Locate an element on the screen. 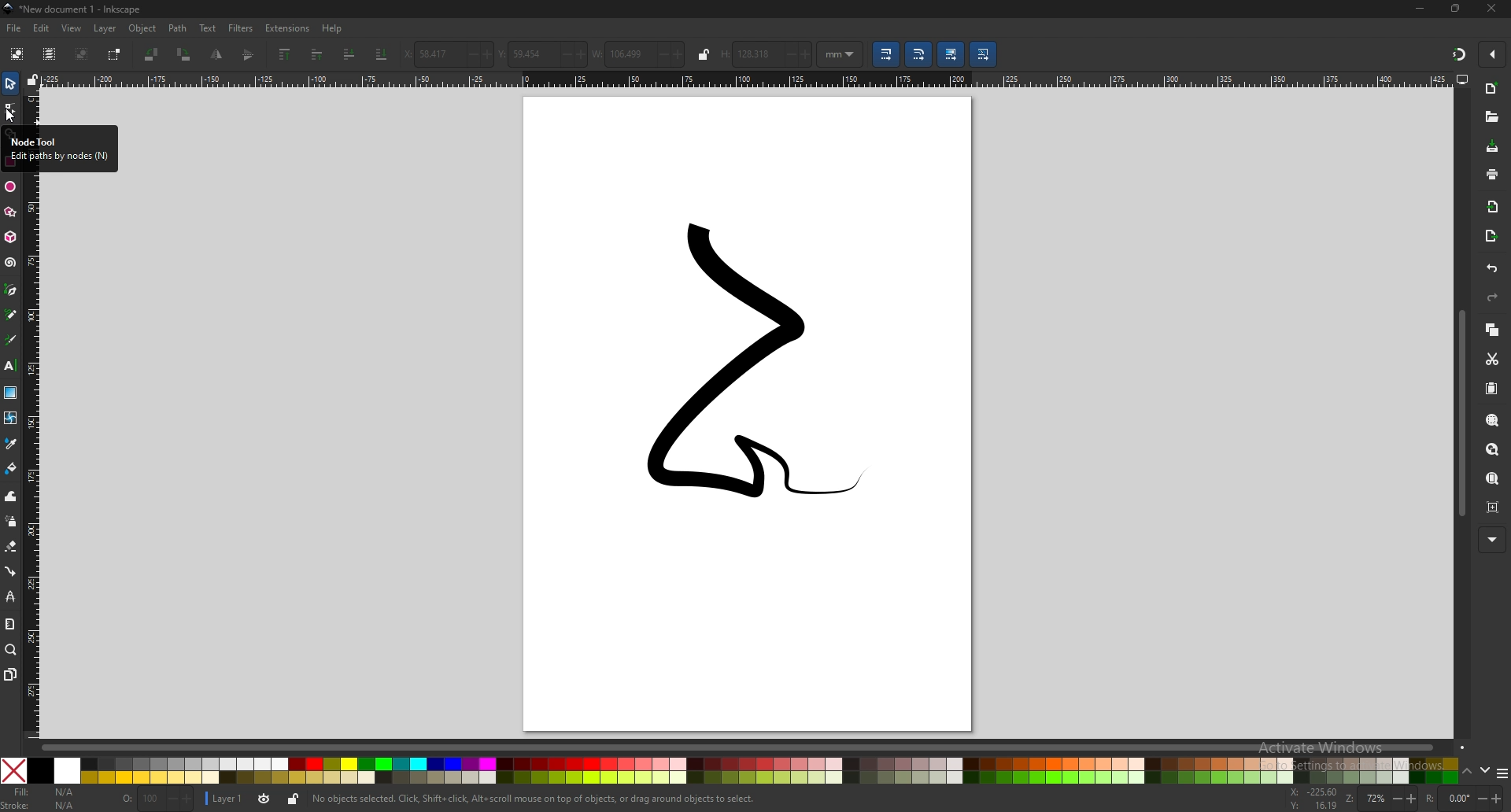 This screenshot has width=1511, height=812. horizontal scale is located at coordinates (744, 79).